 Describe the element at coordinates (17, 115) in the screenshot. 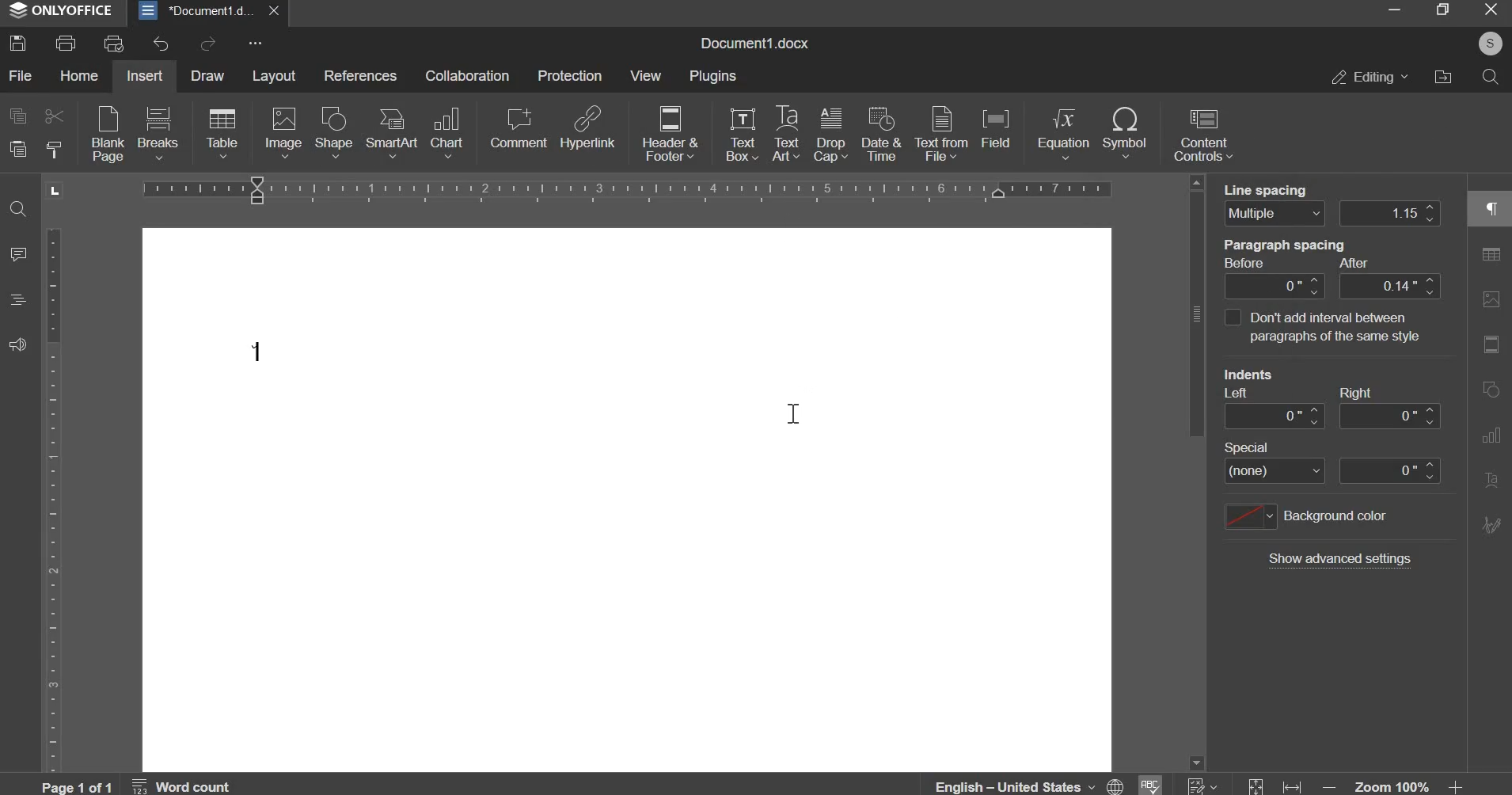

I see `copy` at that location.